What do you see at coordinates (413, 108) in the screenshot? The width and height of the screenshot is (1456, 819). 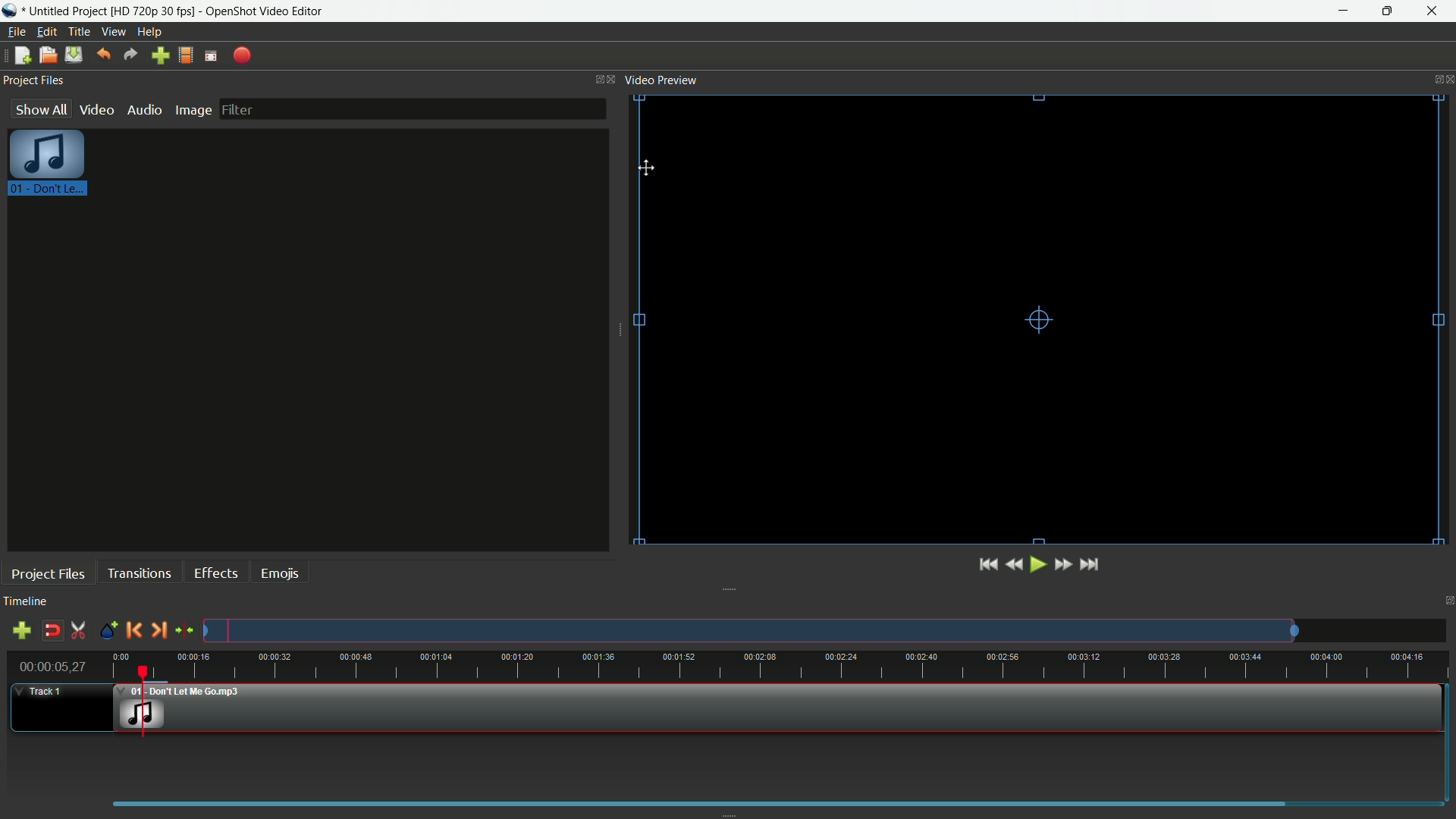 I see `filter bar` at bounding box center [413, 108].